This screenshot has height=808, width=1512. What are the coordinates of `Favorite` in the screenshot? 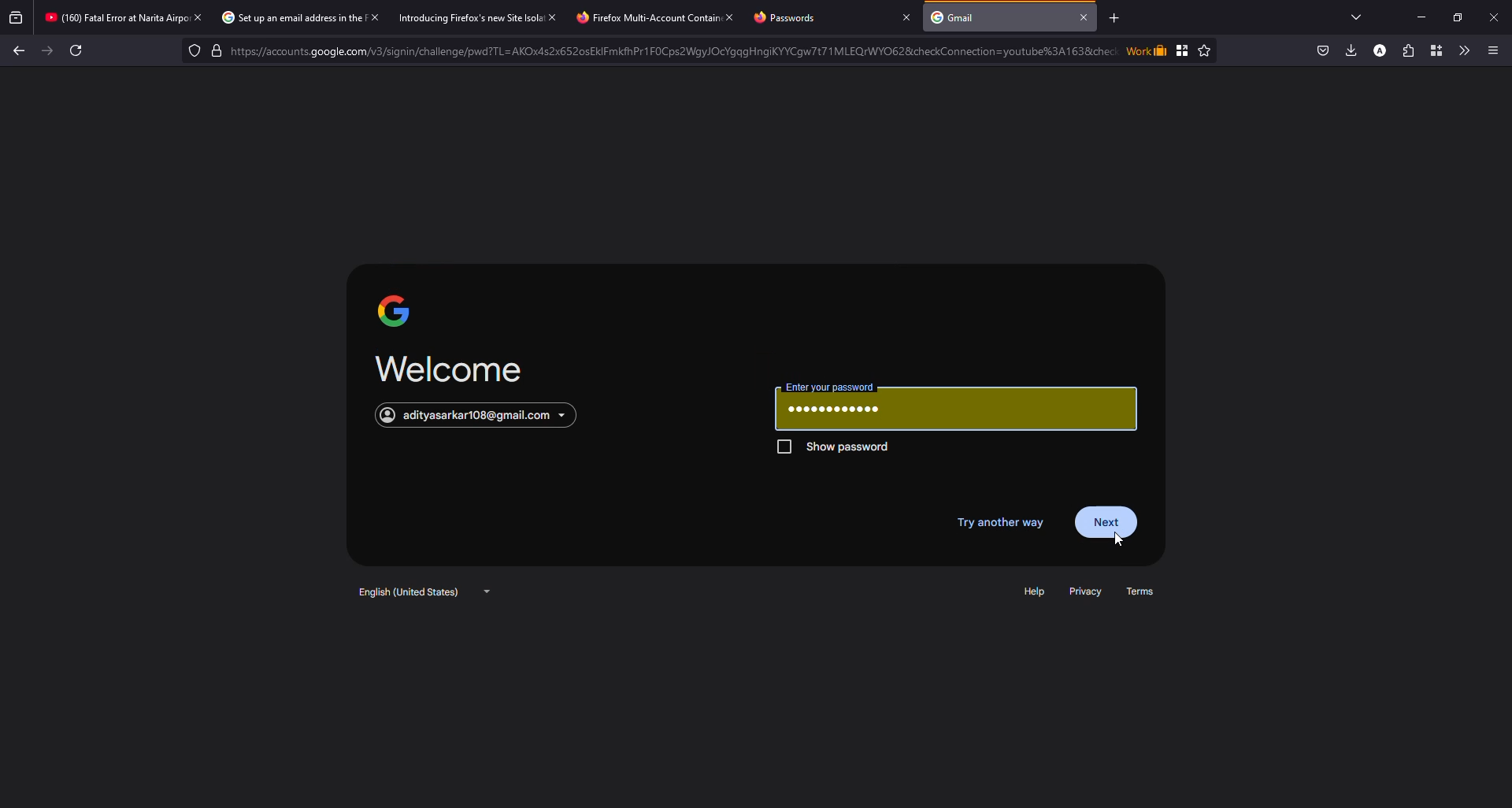 It's located at (1205, 50).